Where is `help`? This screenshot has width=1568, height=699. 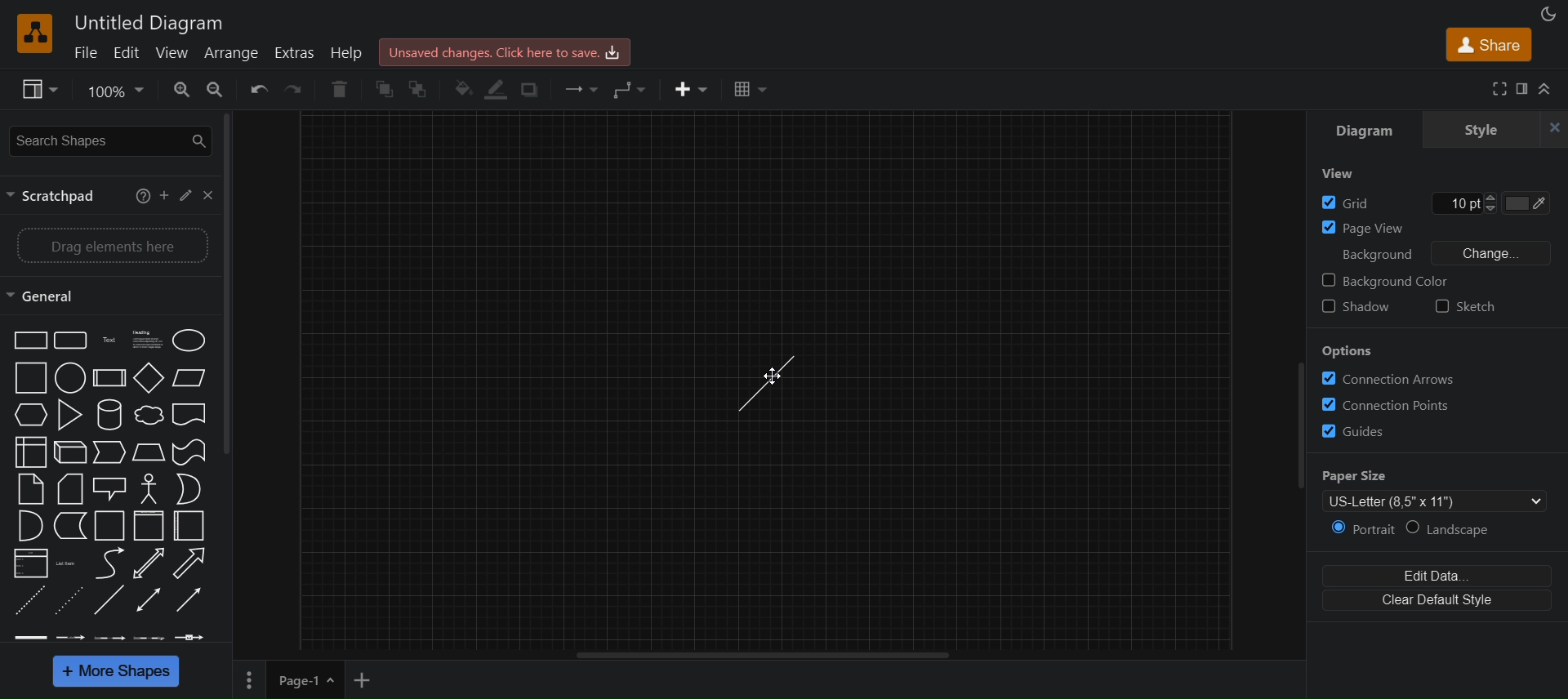
help is located at coordinates (137, 194).